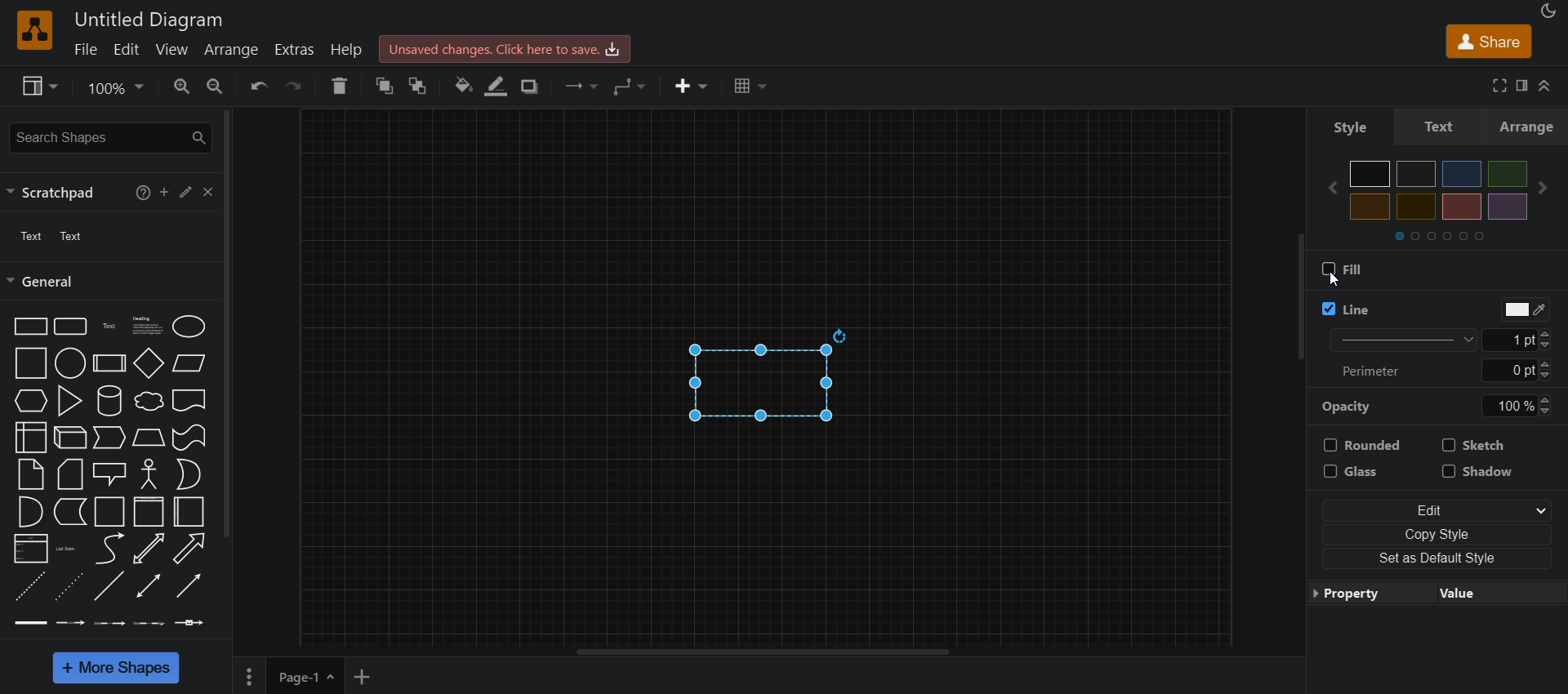  Describe the element at coordinates (1544, 398) in the screenshot. I see `increase opacity` at that location.